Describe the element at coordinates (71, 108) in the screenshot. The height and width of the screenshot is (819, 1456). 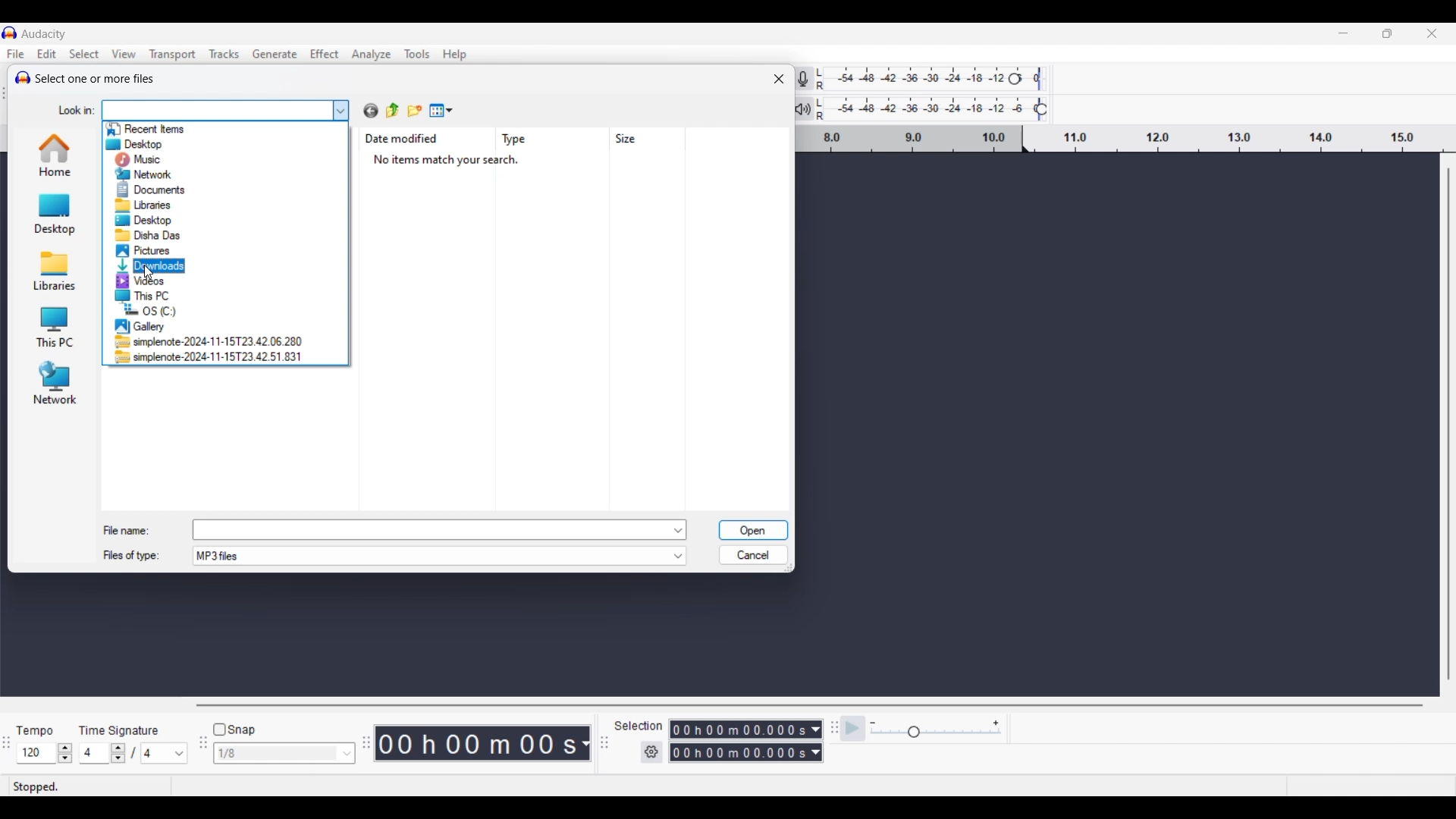
I see `Look in:` at that location.